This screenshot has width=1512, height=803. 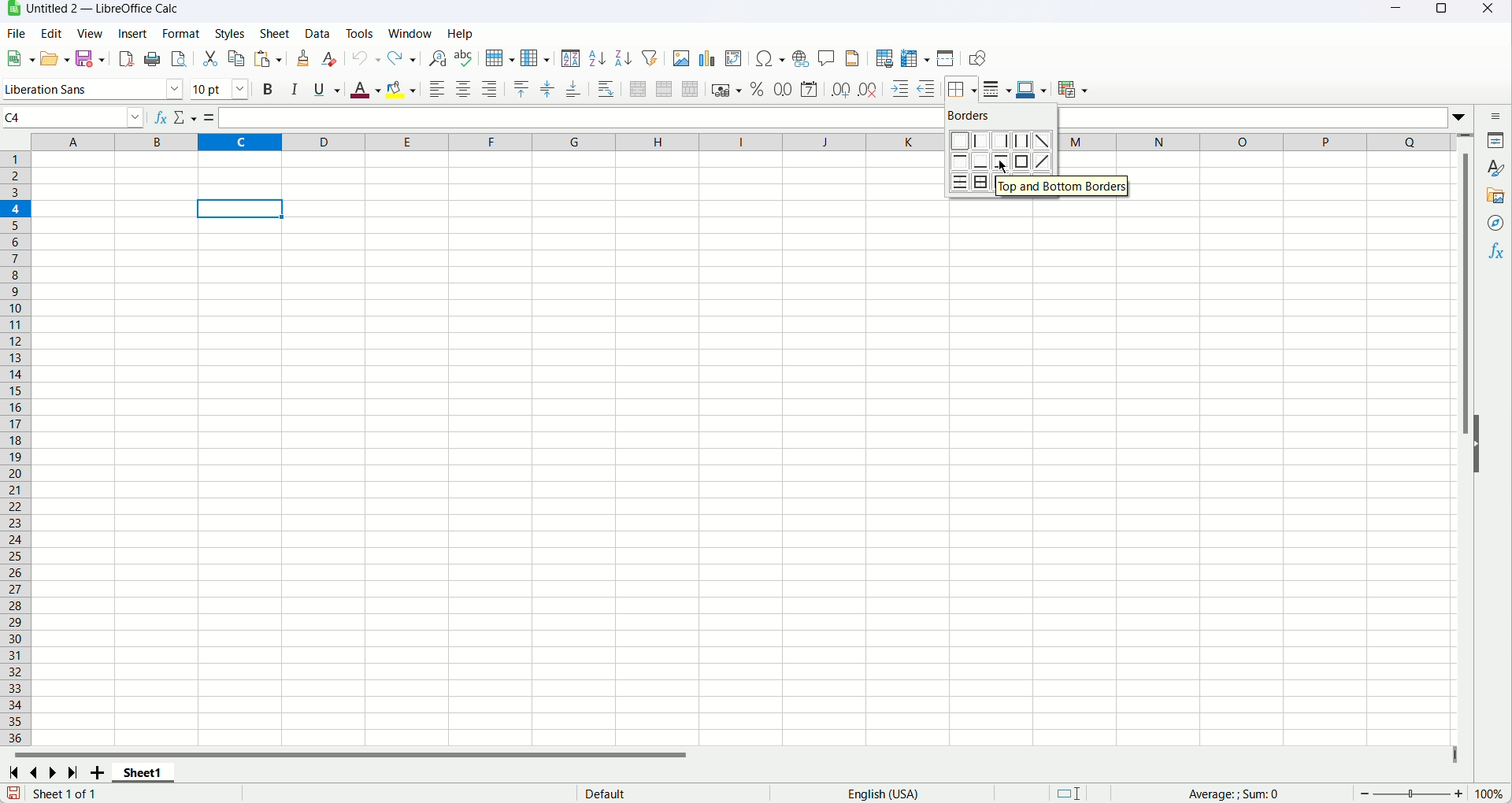 I want to click on Top border, so click(x=960, y=160).